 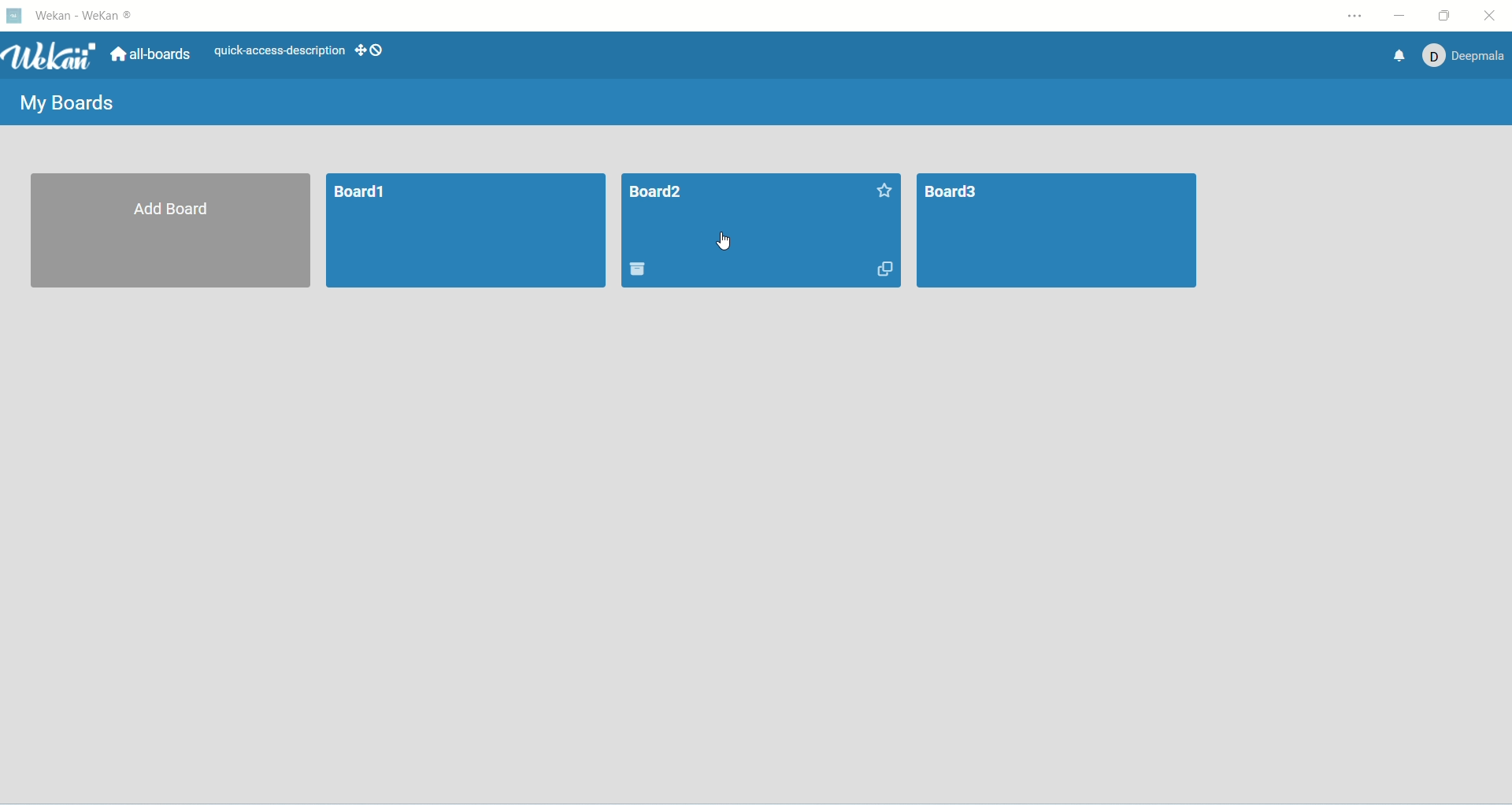 I want to click on notification, so click(x=1395, y=58).